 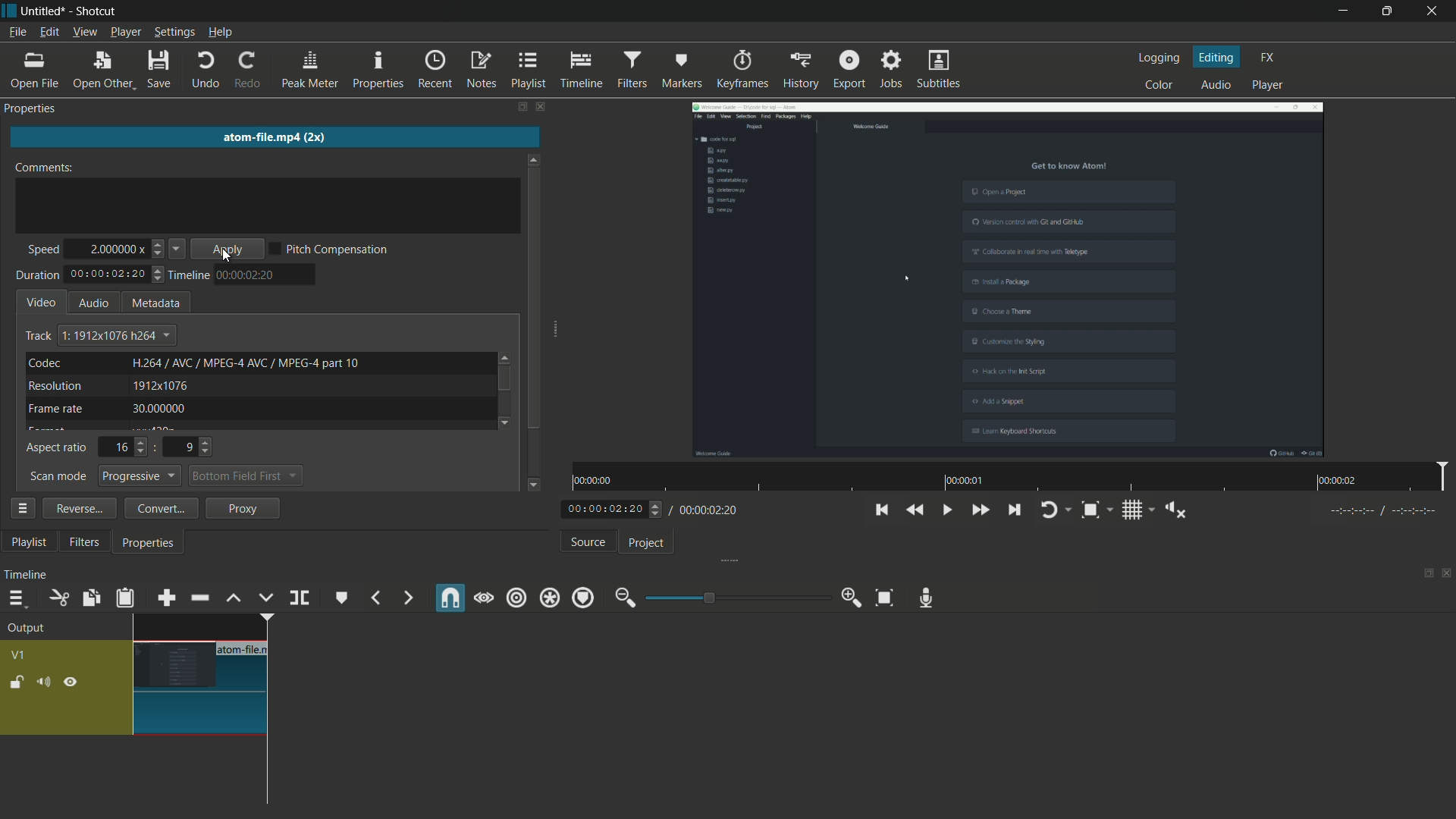 I want to click on metadata, so click(x=153, y=303).